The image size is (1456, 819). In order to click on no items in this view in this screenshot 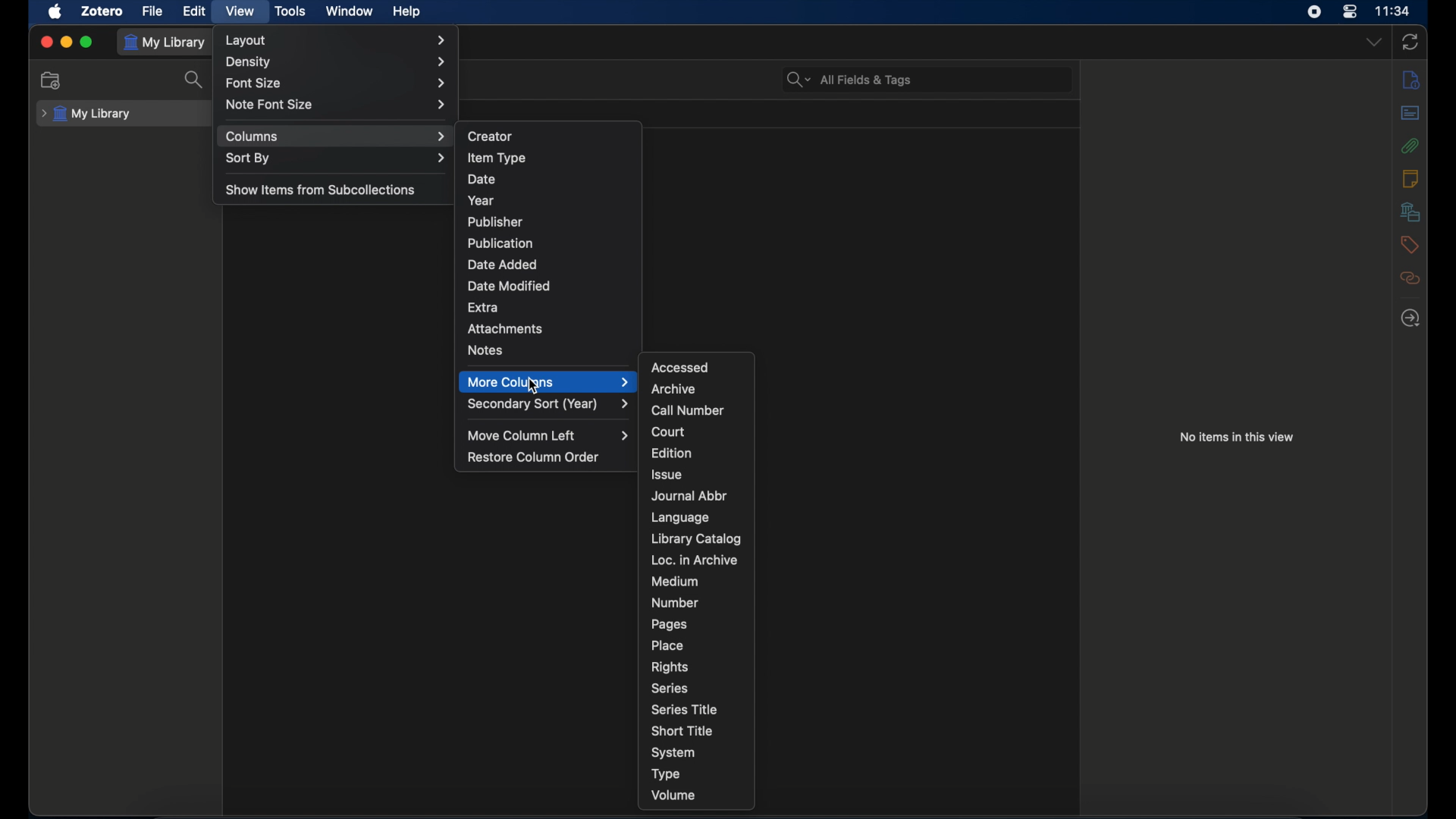, I will do `click(1237, 437)`.